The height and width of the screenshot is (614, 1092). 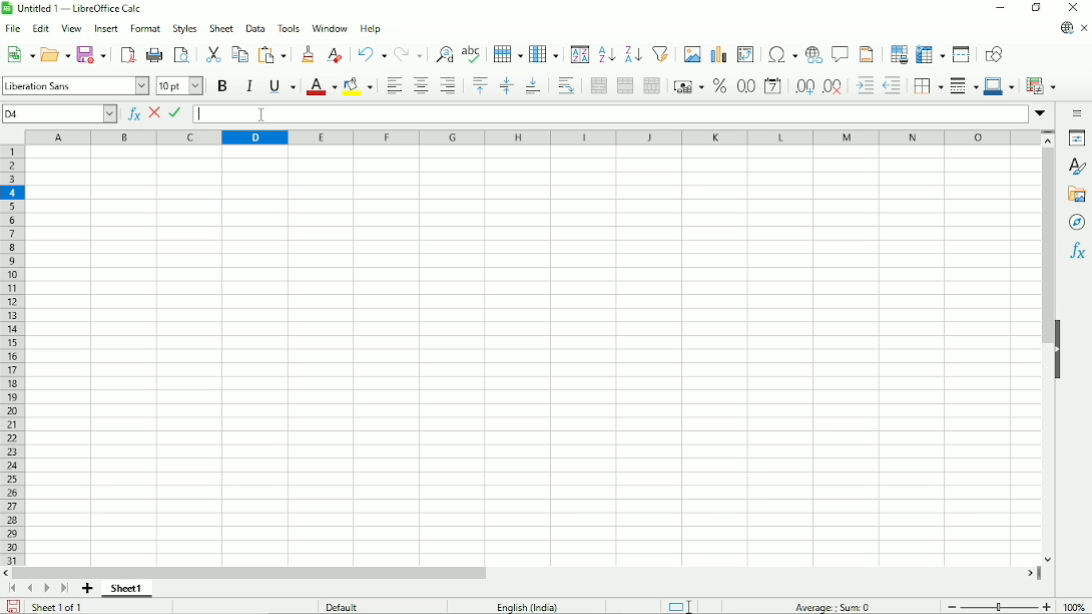 I want to click on Find and replace, so click(x=444, y=54).